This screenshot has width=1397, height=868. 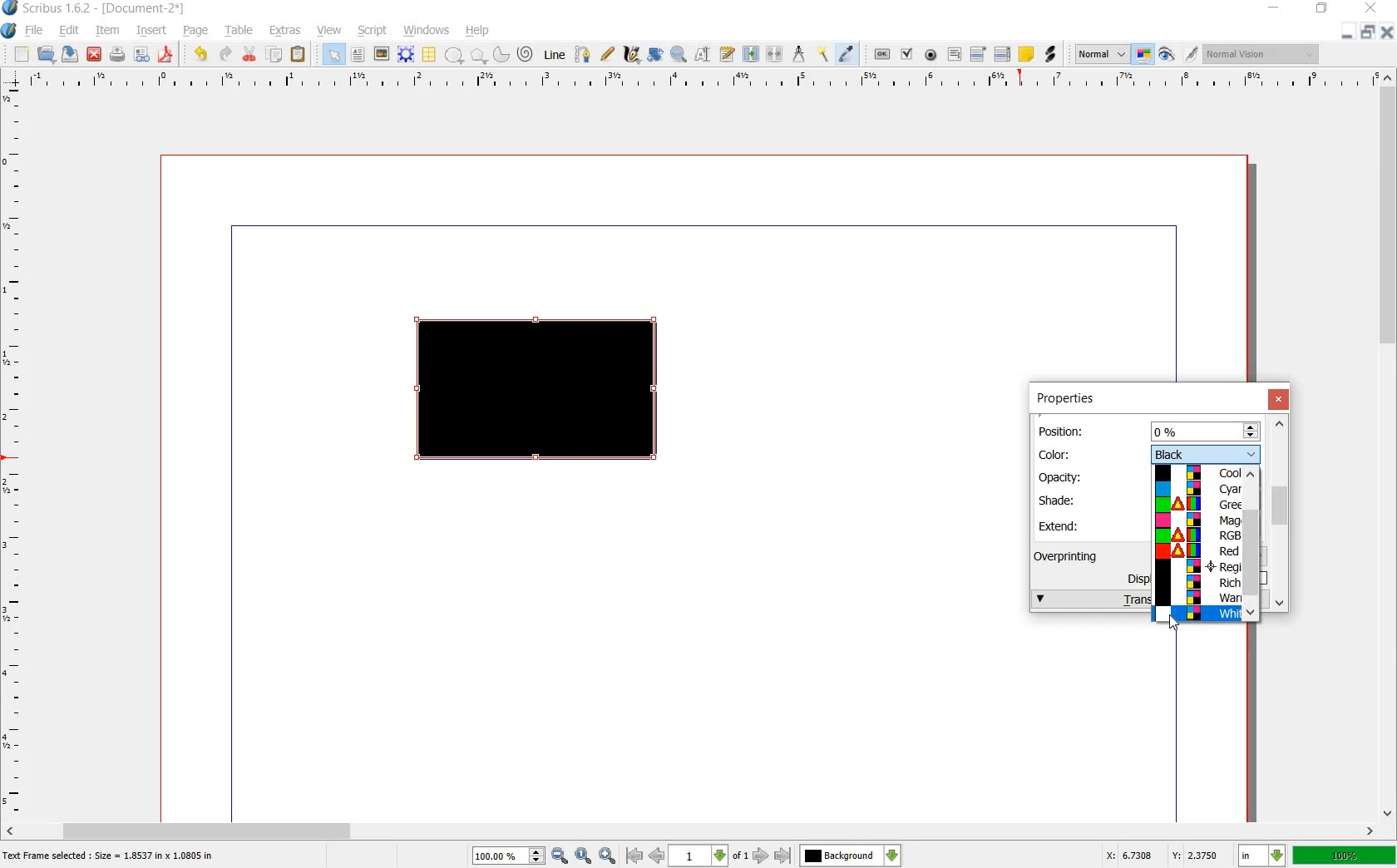 I want to click on edit text with story editor, so click(x=726, y=54).